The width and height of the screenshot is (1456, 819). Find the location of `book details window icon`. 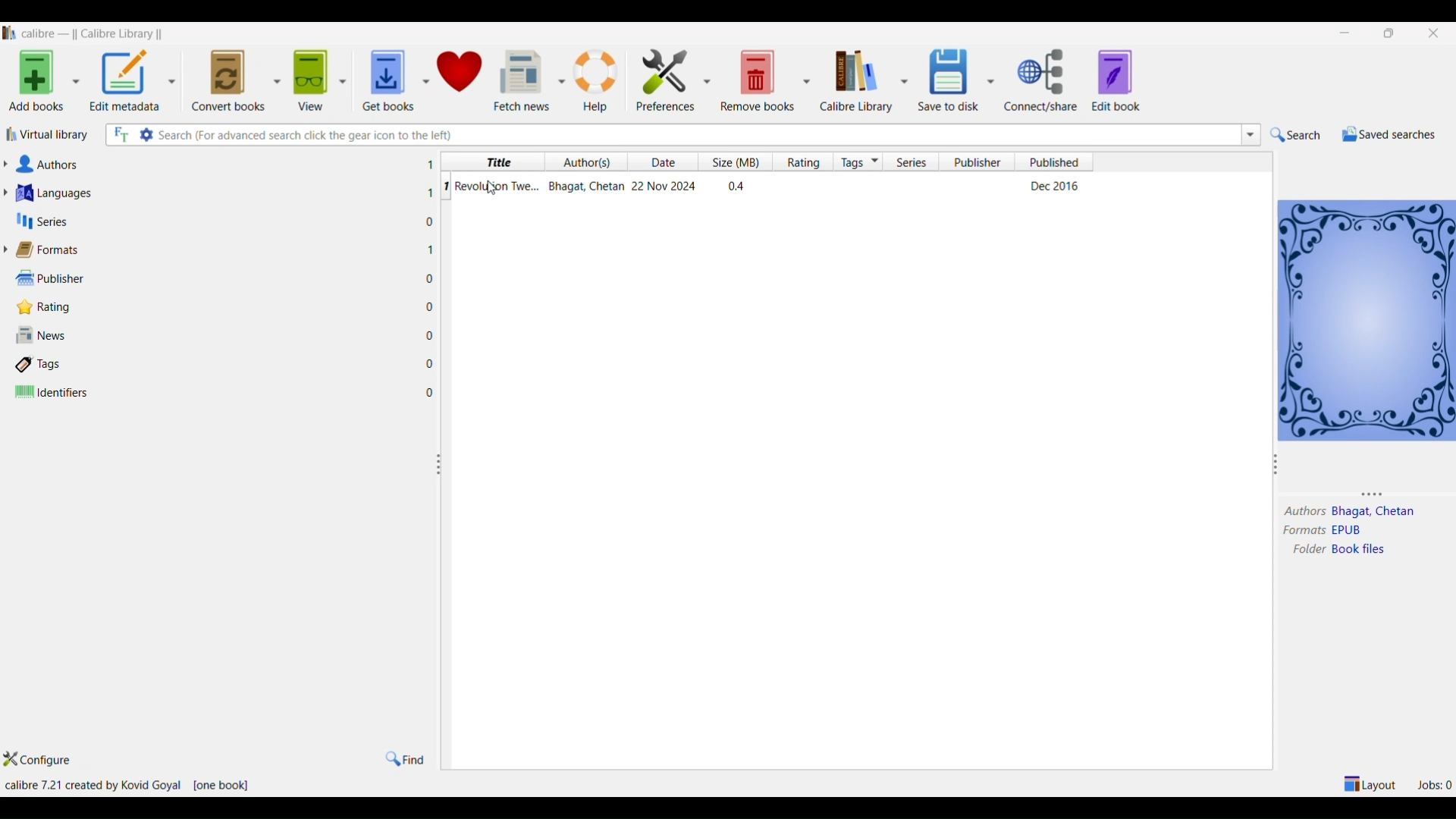

book details window icon is located at coordinates (1366, 318).